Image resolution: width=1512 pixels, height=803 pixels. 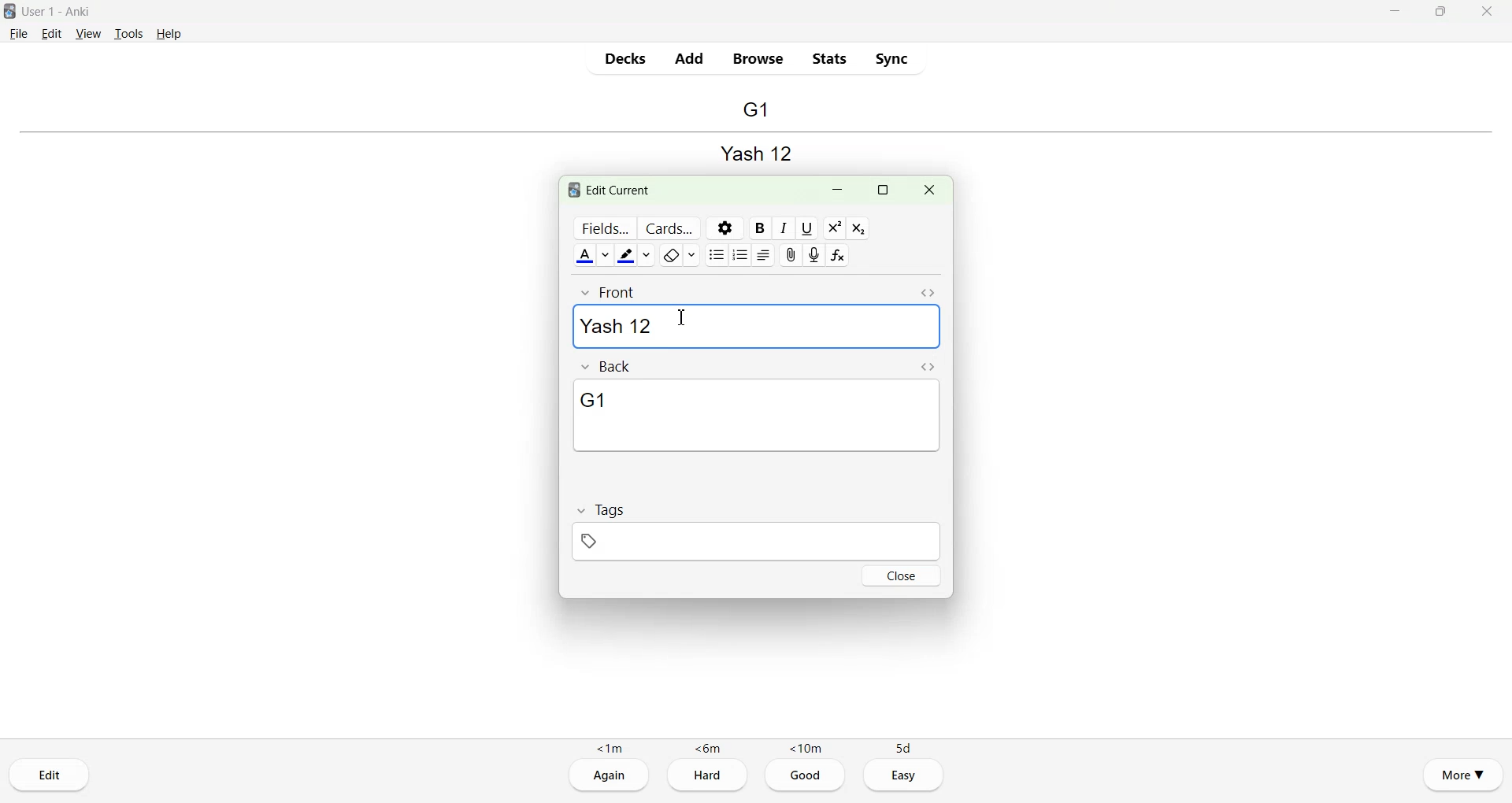 What do you see at coordinates (688, 58) in the screenshot?
I see `Add` at bounding box center [688, 58].